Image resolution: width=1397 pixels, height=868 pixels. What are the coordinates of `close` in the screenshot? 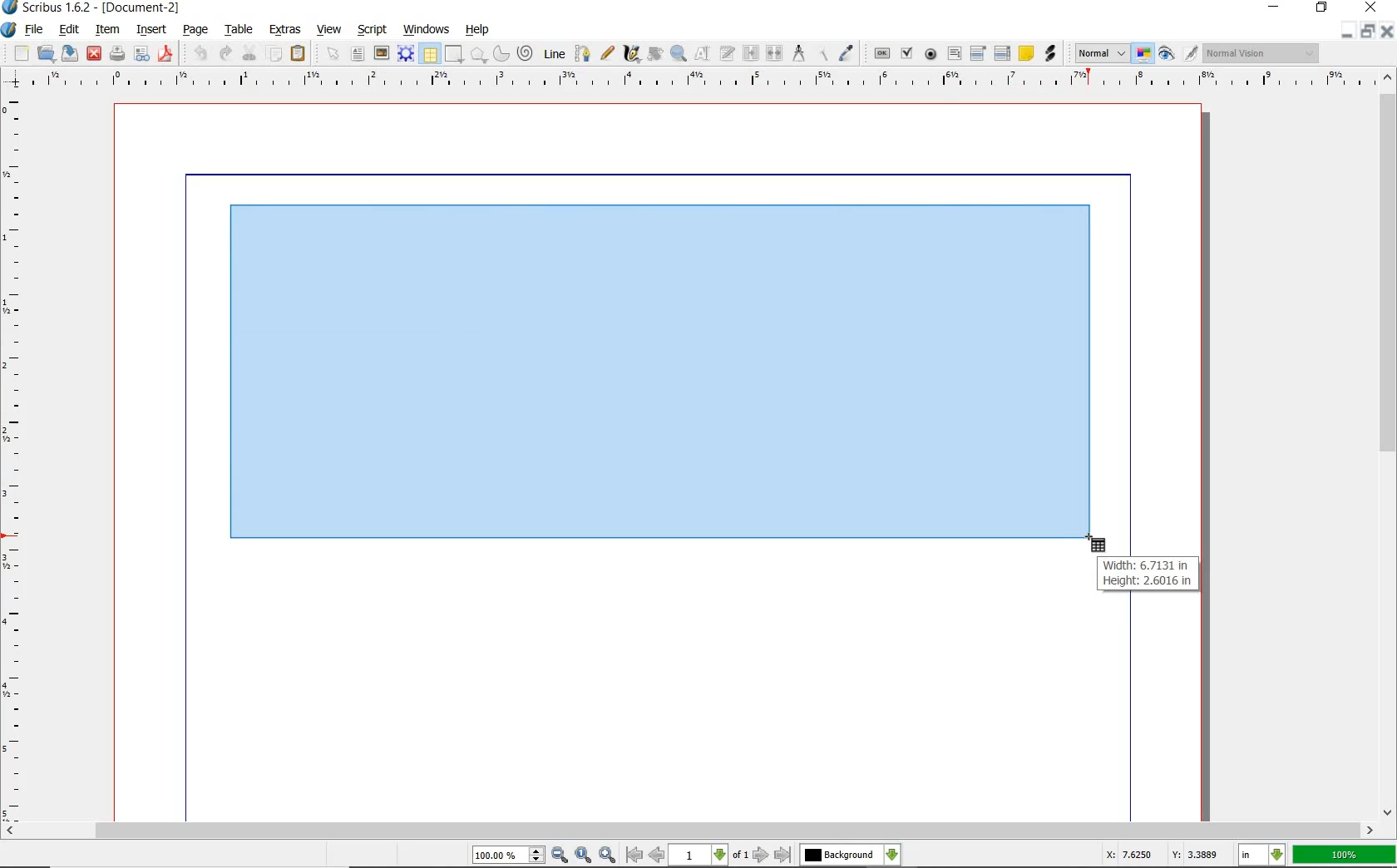 It's located at (93, 54).